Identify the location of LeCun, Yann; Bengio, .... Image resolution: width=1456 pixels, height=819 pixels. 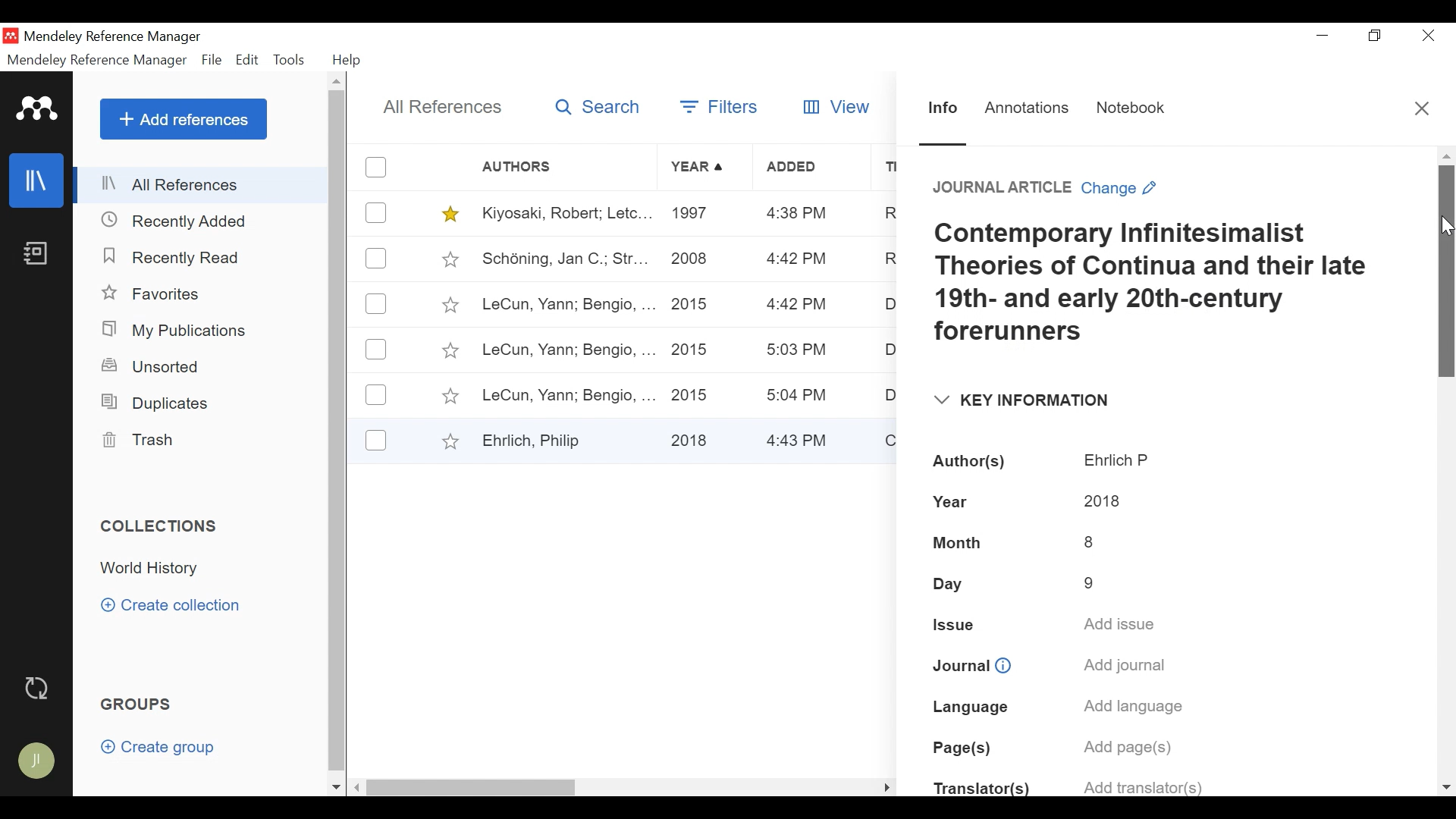
(567, 306).